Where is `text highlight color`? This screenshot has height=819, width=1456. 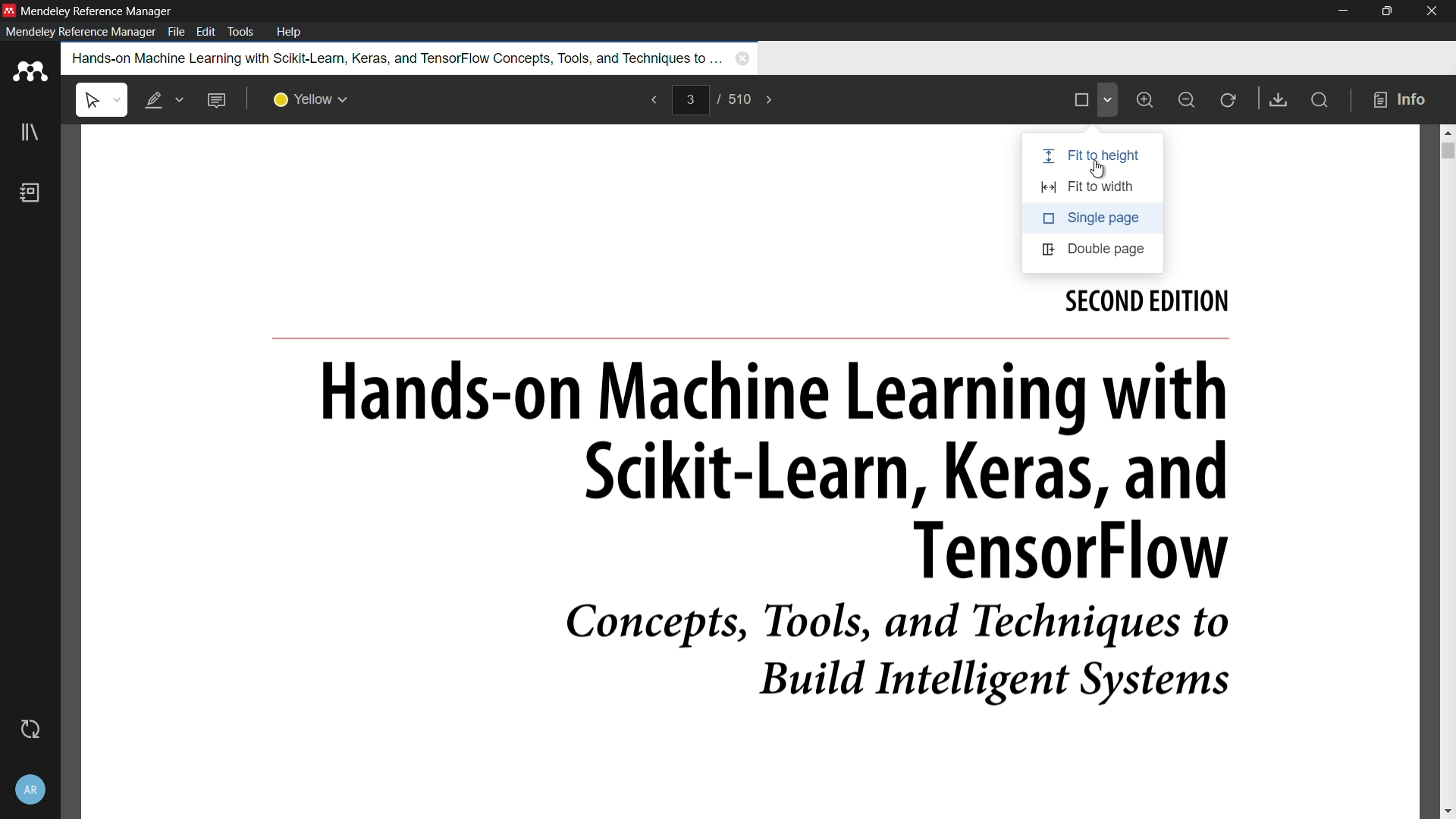
text highlight color is located at coordinates (312, 101).